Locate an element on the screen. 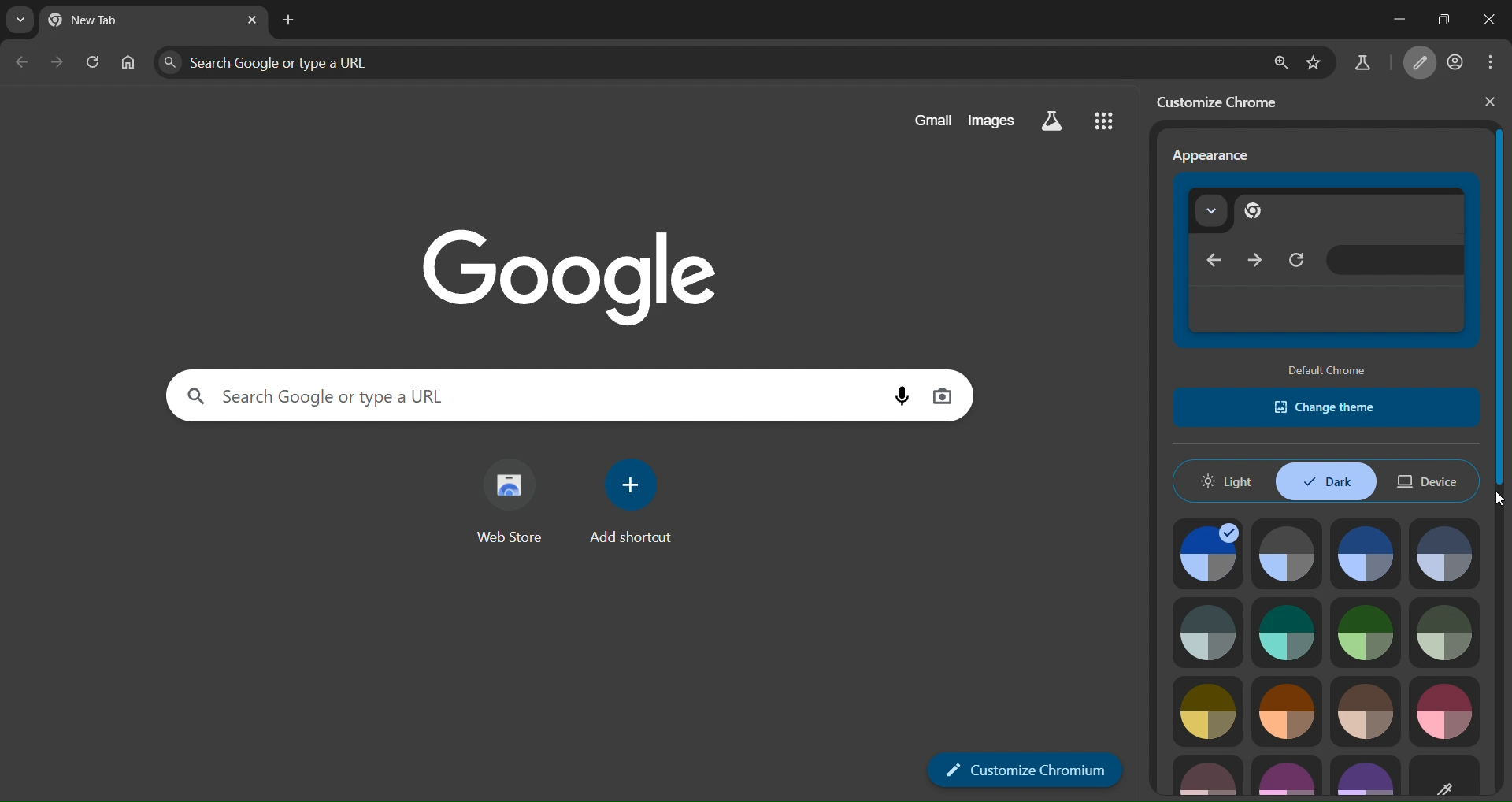 This screenshot has height=802, width=1512. appearance preview is located at coordinates (1322, 263).